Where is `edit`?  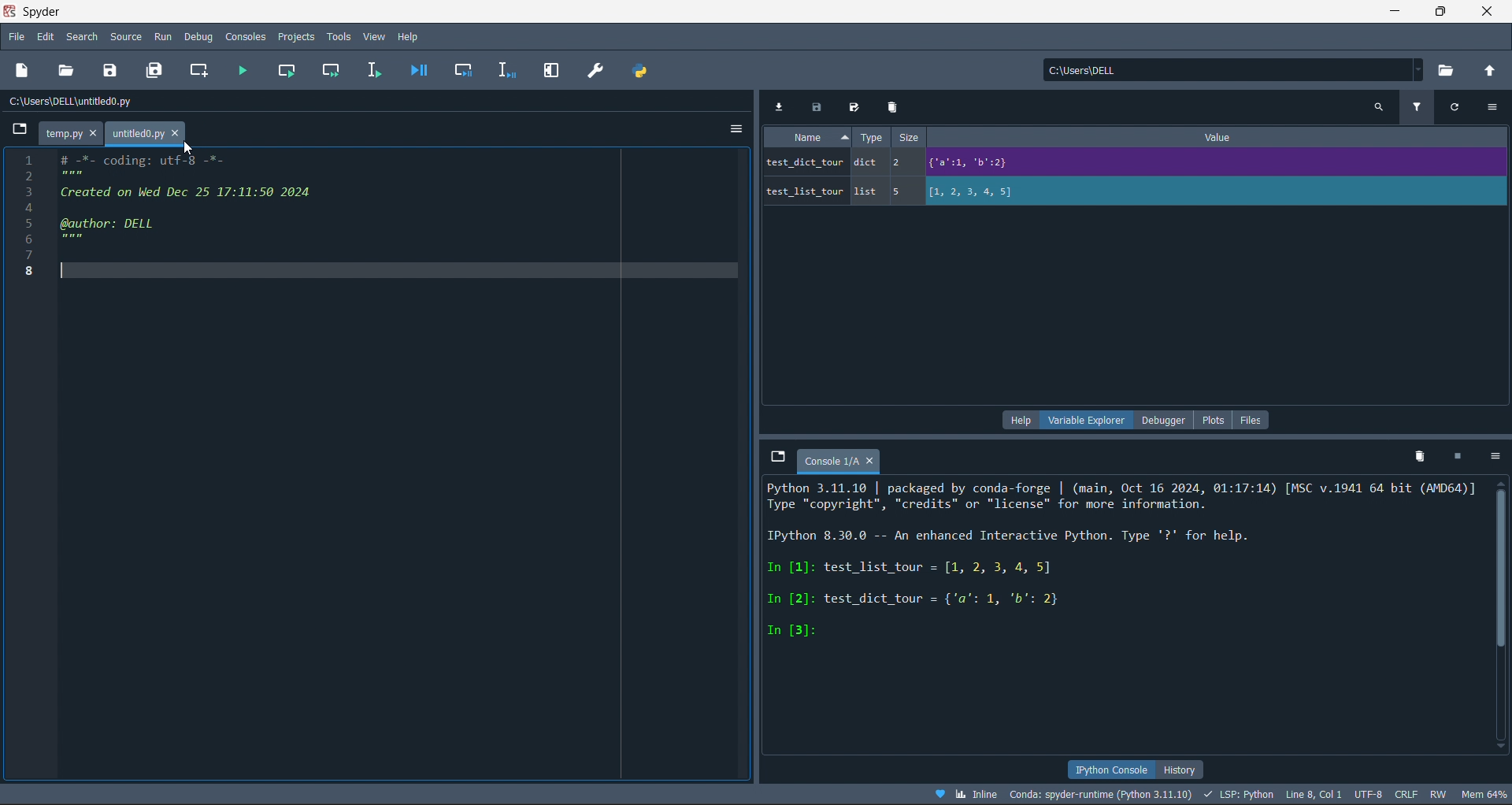
edit is located at coordinates (46, 38).